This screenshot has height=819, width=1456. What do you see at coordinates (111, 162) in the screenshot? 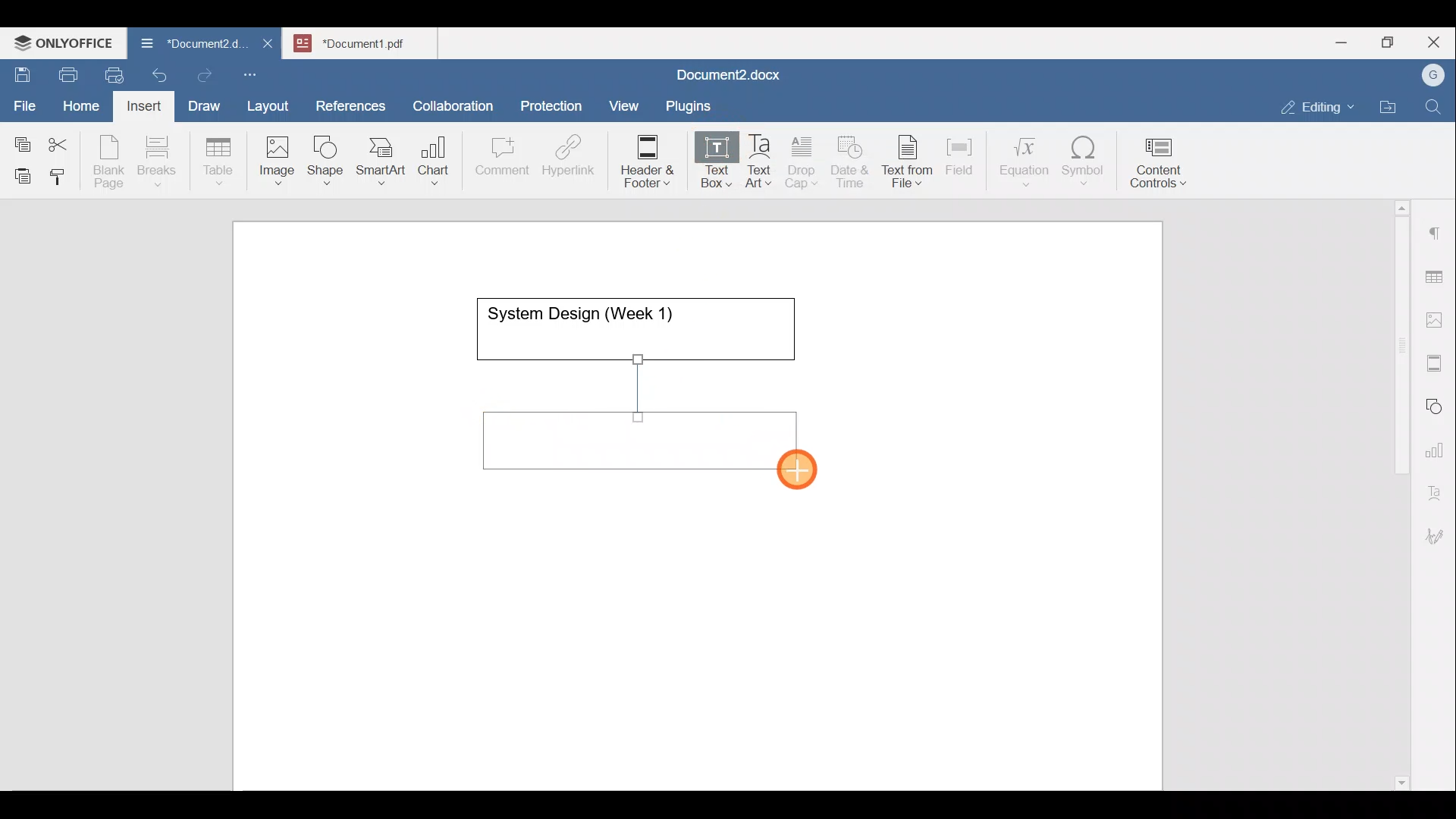
I see `Blank page` at bounding box center [111, 162].